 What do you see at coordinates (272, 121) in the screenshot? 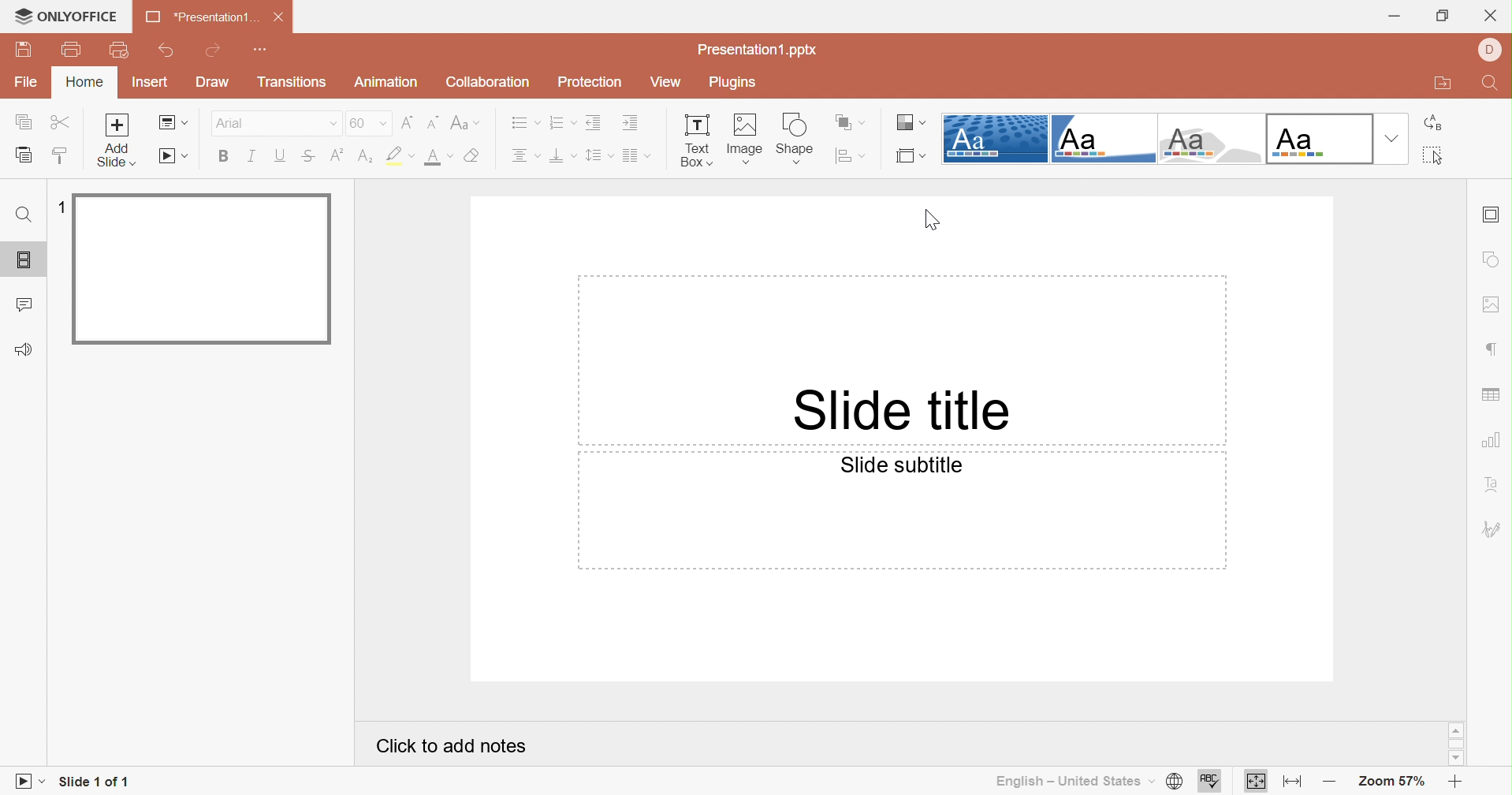
I see `Font` at bounding box center [272, 121].